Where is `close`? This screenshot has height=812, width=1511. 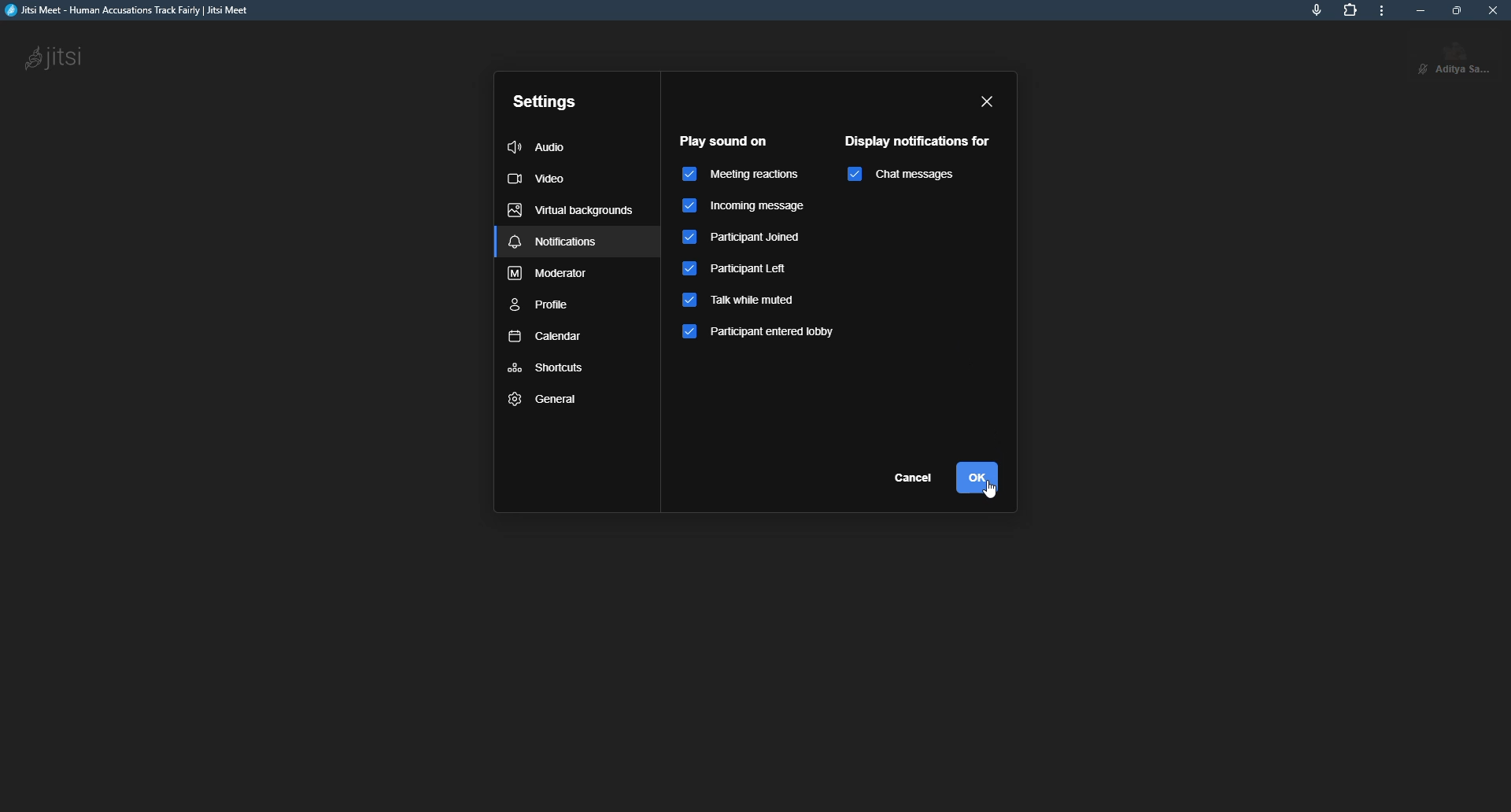 close is located at coordinates (988, 102).